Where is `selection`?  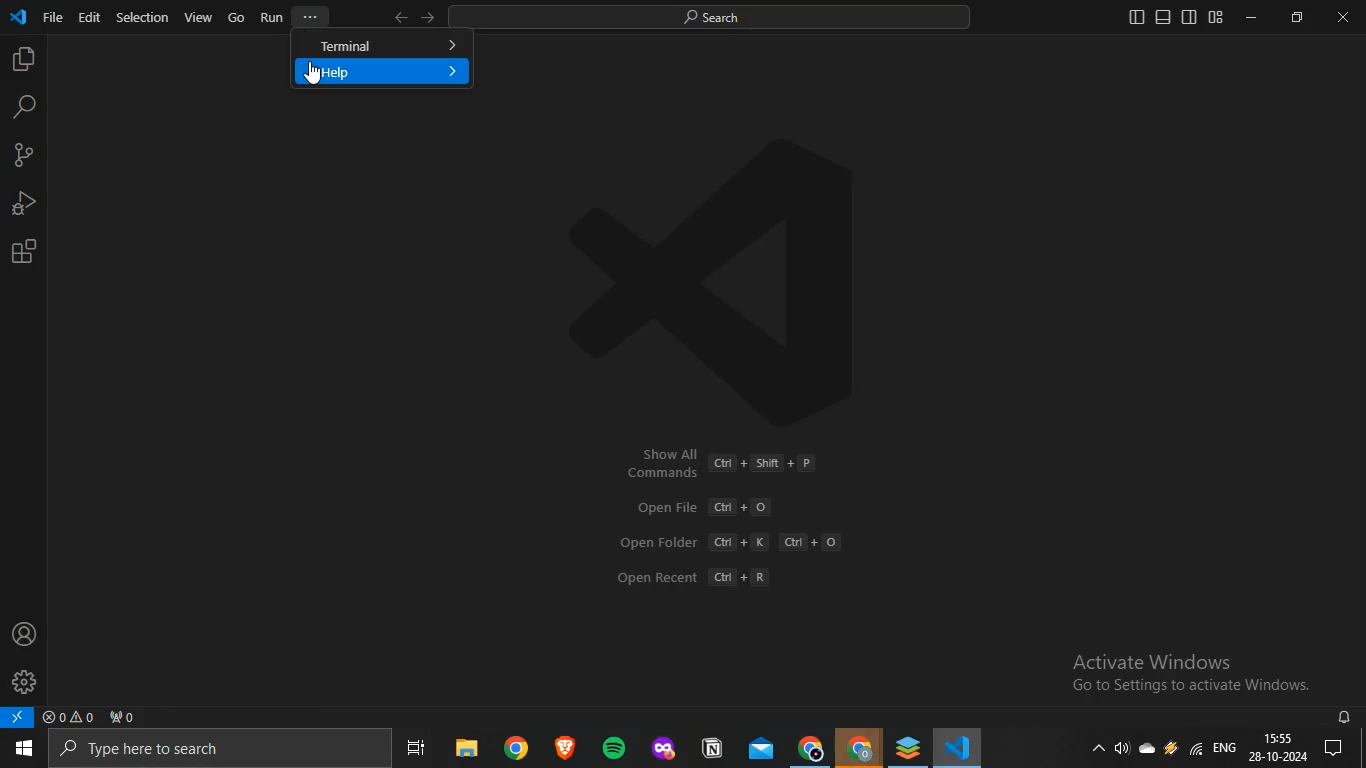 selection is located at coordinates (143, 18).